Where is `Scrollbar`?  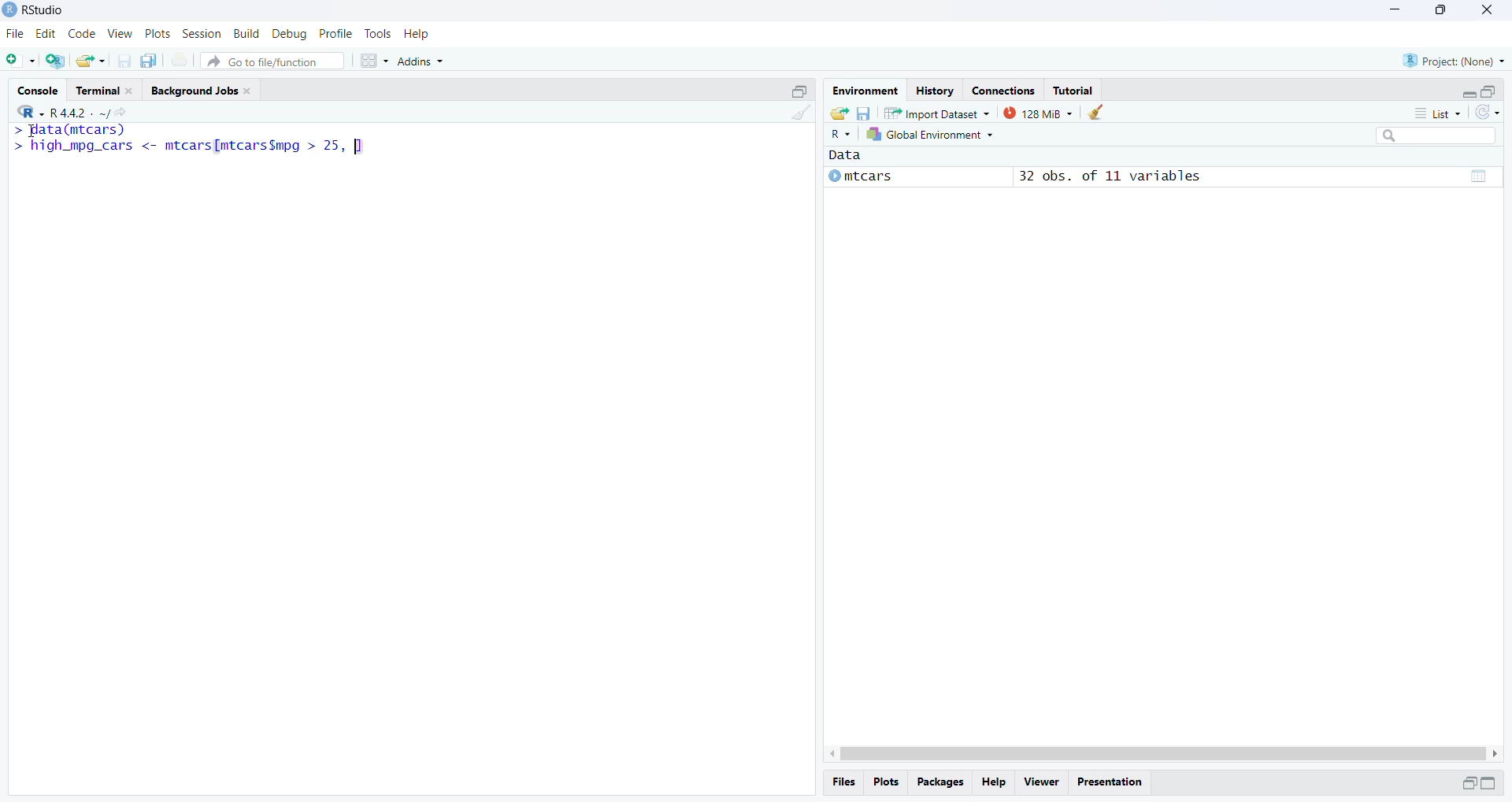
Scrollbar is located at coordinates (1163, 754).